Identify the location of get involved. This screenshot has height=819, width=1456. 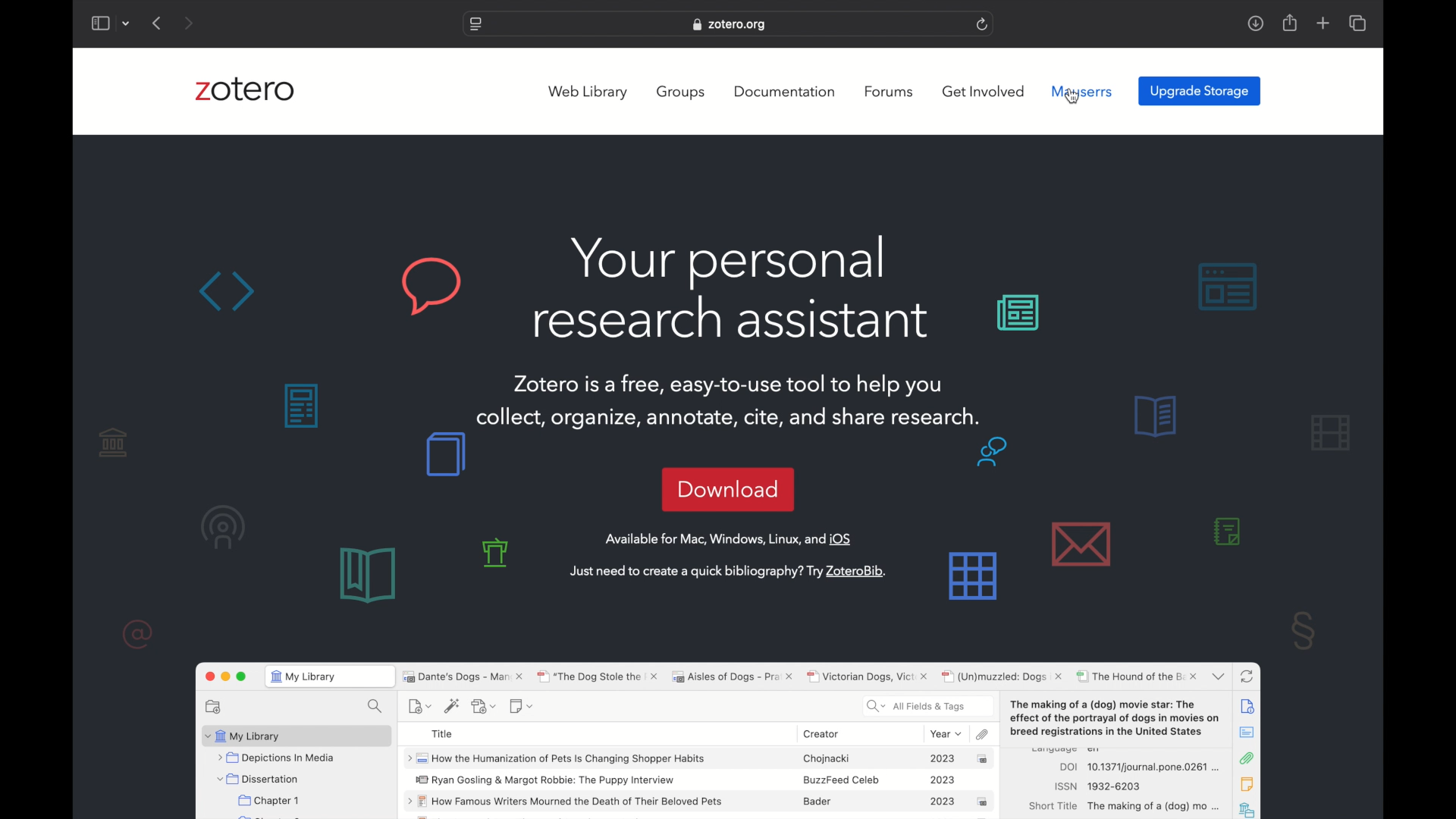
(984, 92).